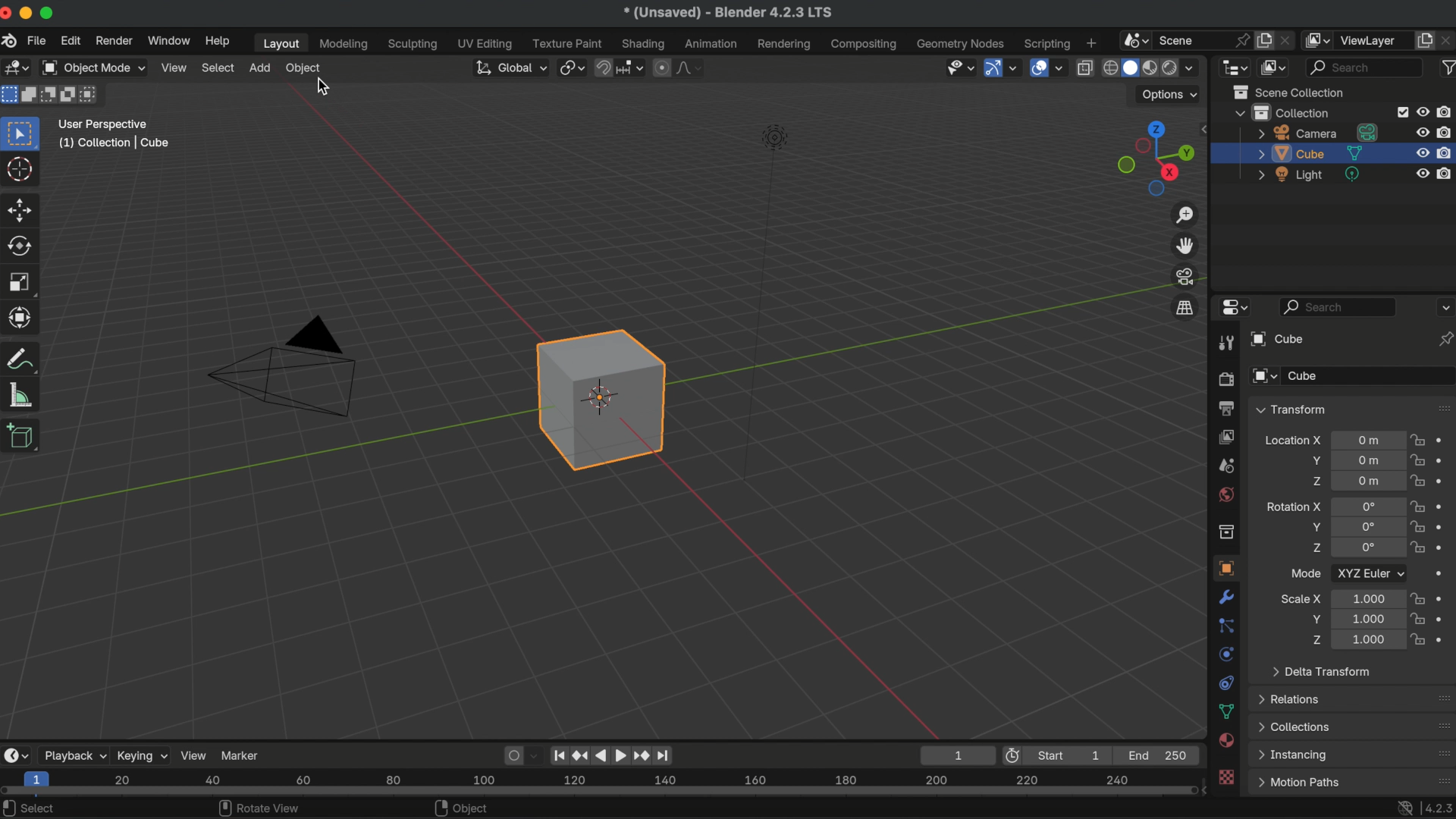 The image size is (1456, 819). What do you see at coordinates (1367, 598) in the screenshot?
I see `Scale location` at bounding box center [1367, 598].